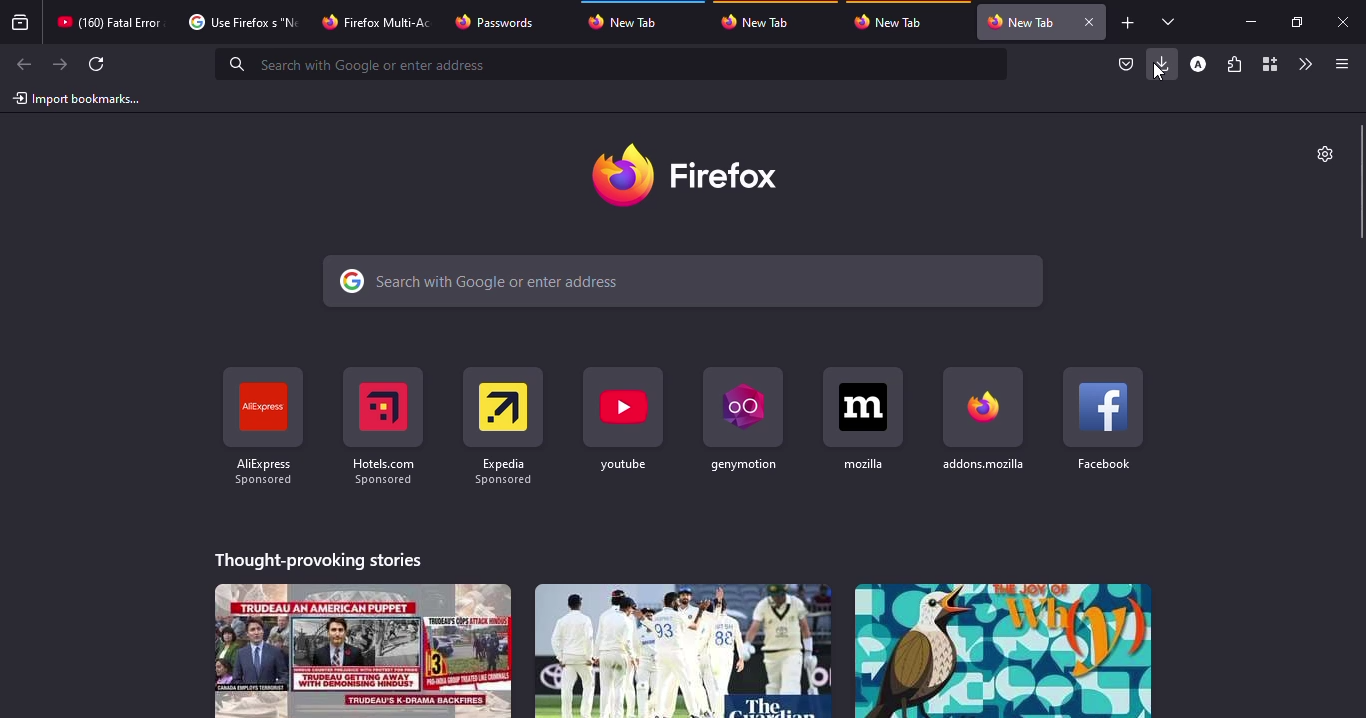 The width and height of the screenshot is (1366, 718). Describe the element at coordinates (1304, 64) in the screenshot. I see `more tools` at that location.